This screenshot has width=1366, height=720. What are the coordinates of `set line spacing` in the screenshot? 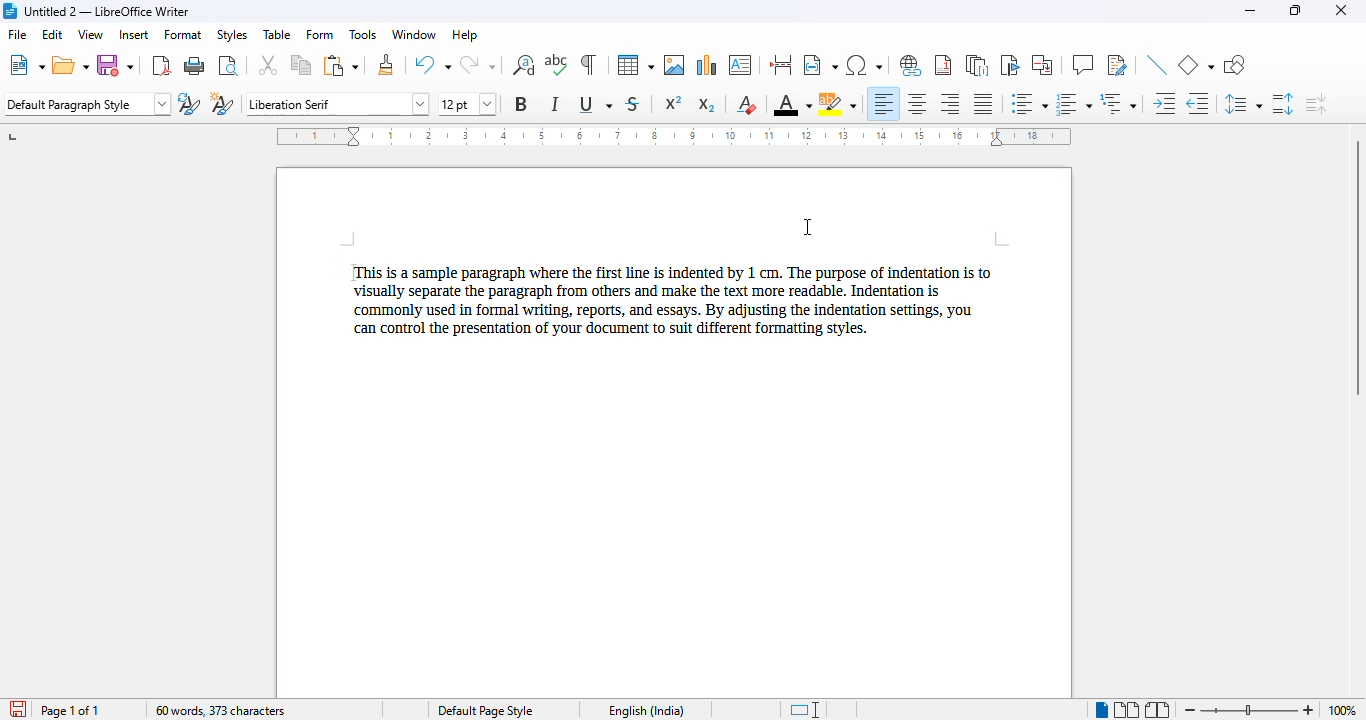 It's located at (1241, 103).